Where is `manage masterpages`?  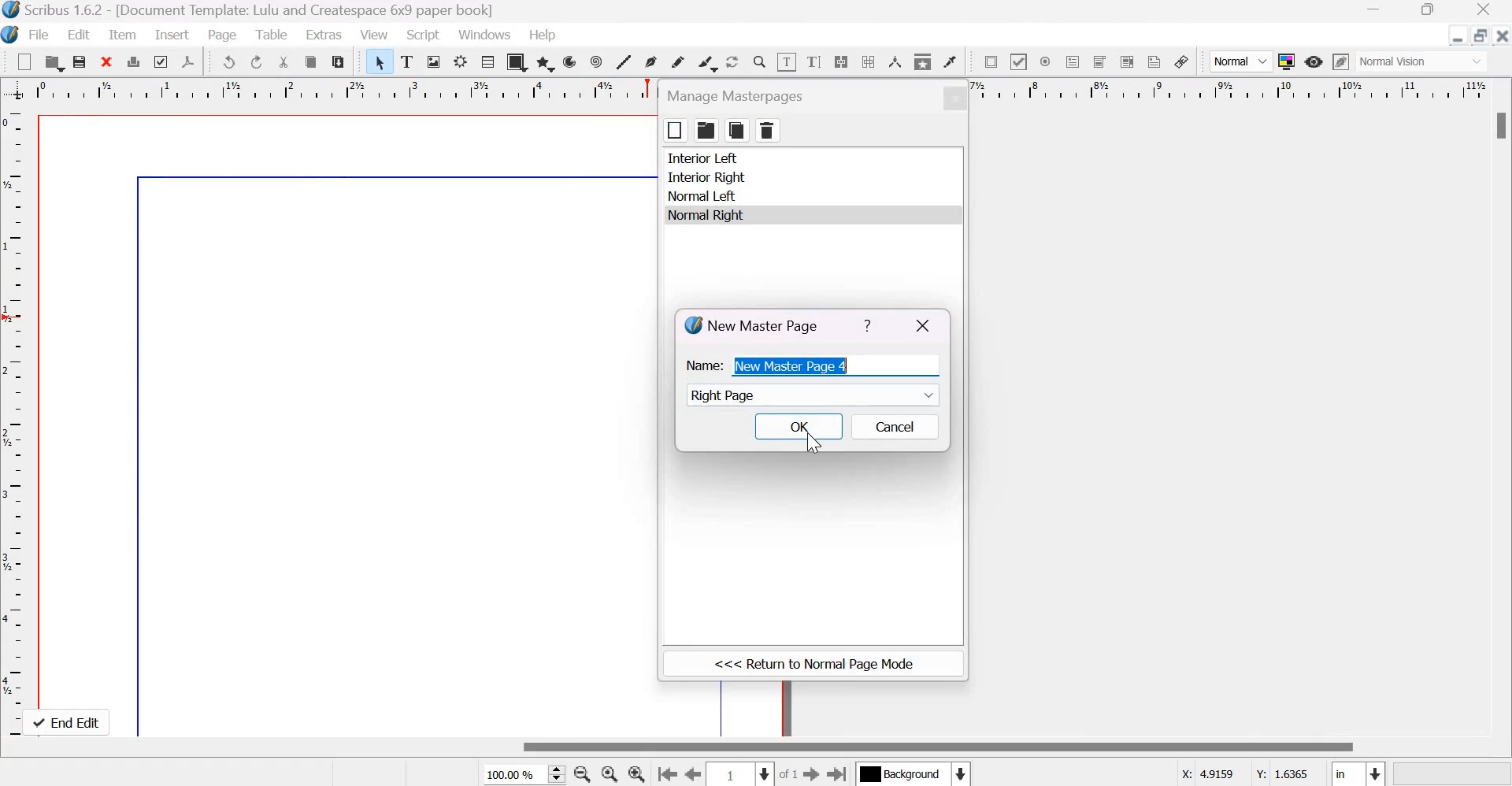
manage masterpages is located at coordinates (740, 95).